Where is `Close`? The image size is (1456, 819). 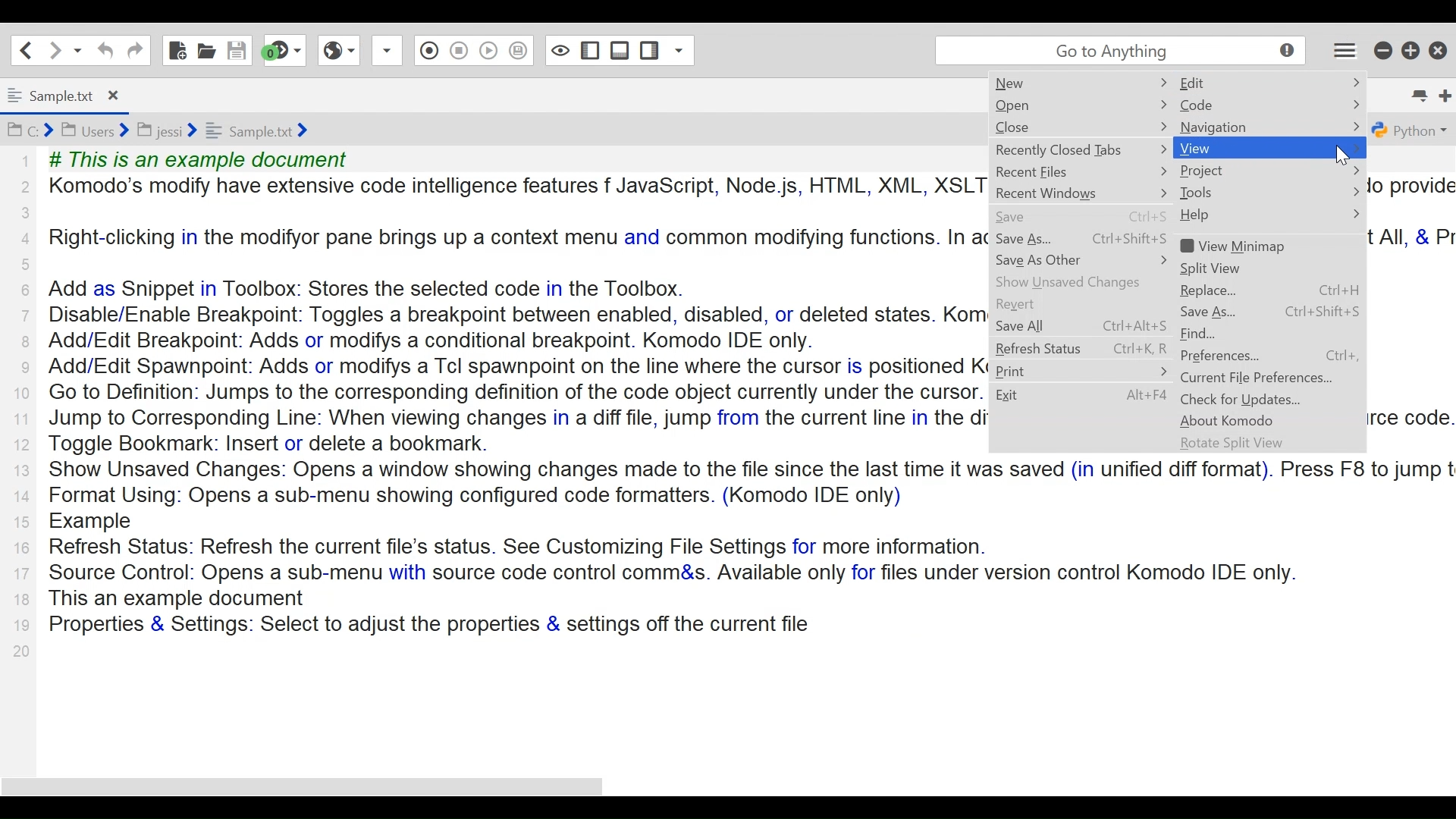
Close is located at coordinates (1439, 50).